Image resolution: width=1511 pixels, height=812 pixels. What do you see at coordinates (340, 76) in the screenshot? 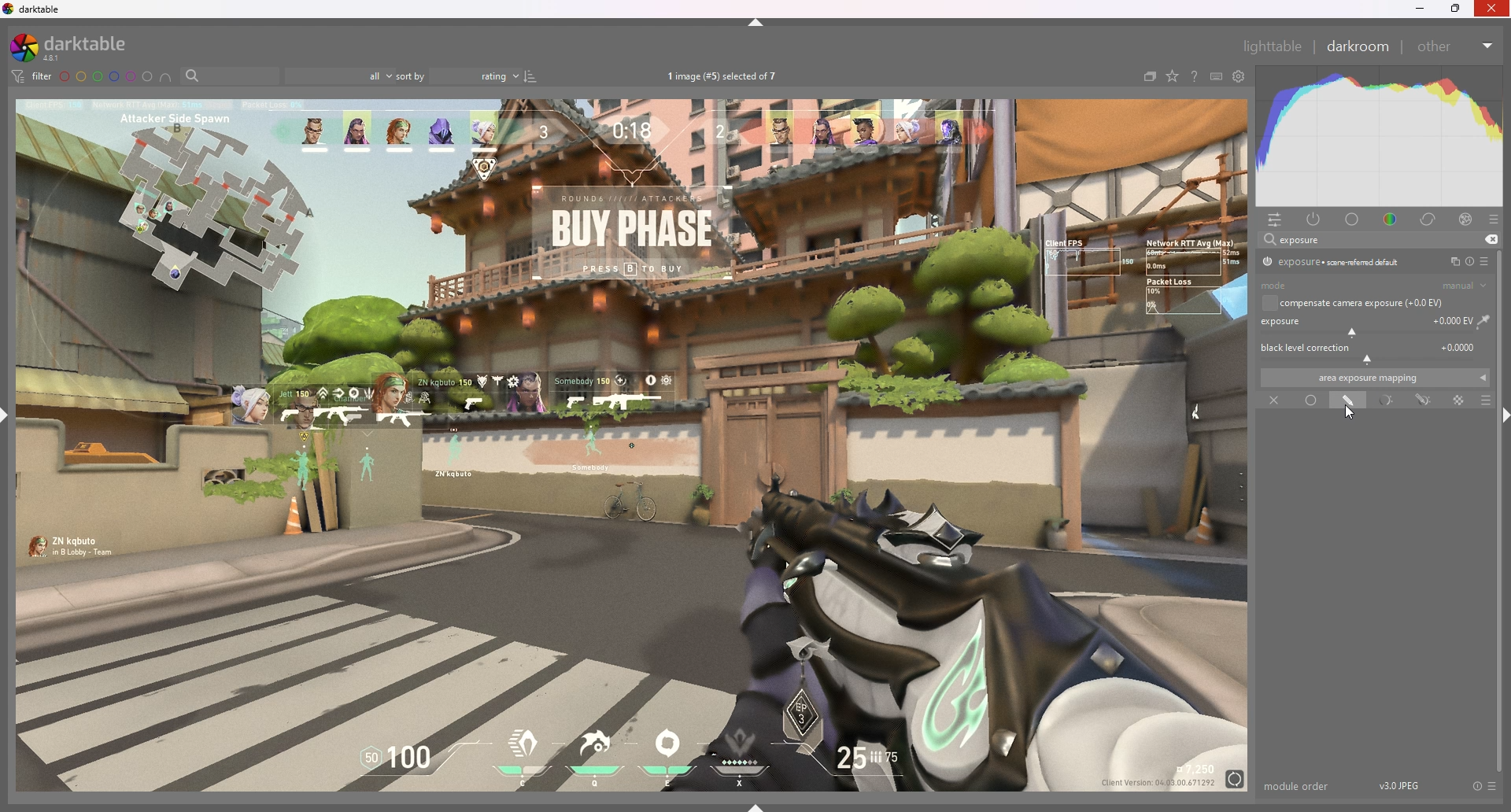
I see `filter by images rating` at bounding box center [340, 76].